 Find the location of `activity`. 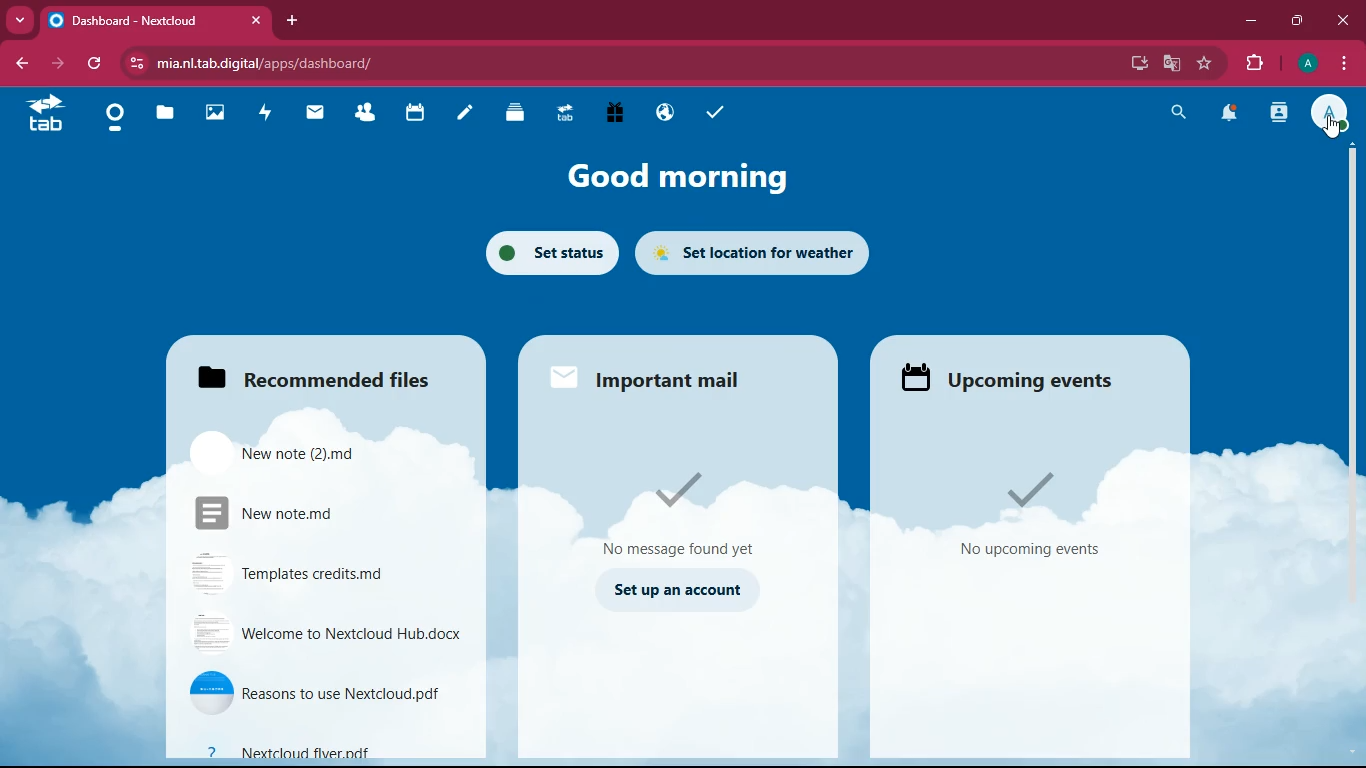

activity is located at coordinates (265, 111).